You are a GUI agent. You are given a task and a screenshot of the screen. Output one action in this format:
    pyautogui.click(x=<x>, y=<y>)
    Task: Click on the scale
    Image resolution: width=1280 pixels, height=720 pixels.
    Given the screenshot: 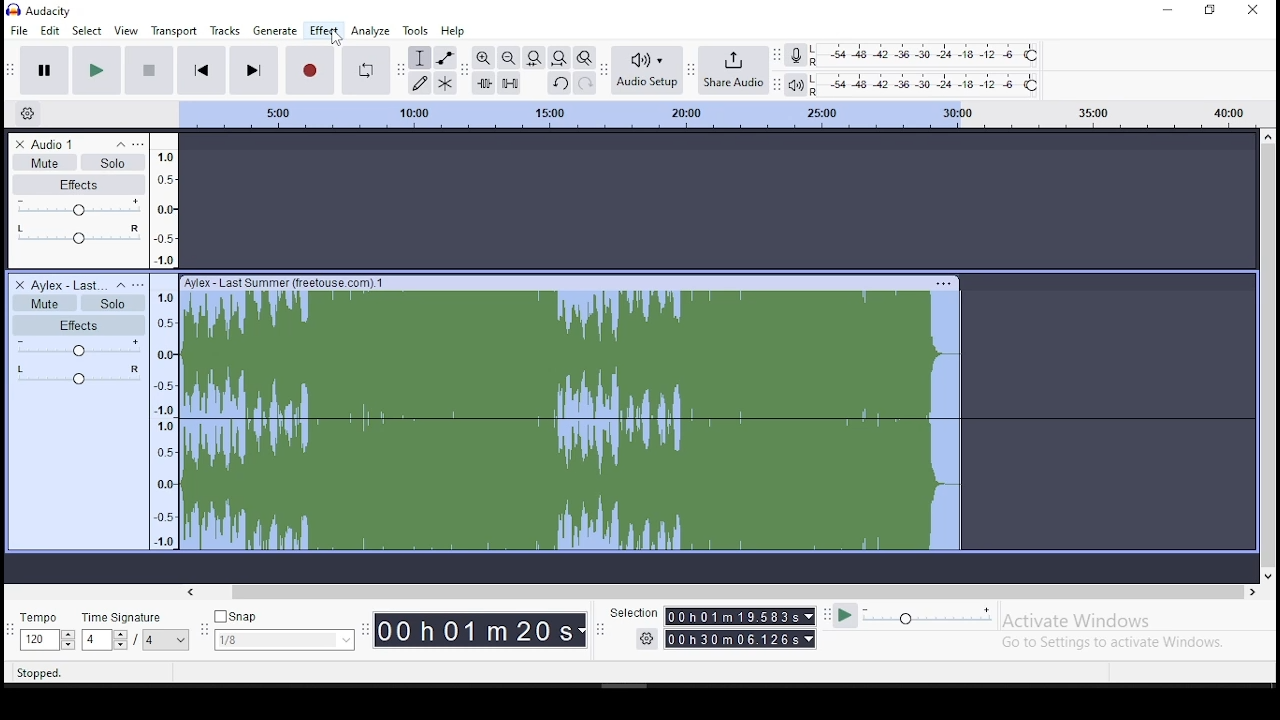 What is the action you would take?
    pyautogui.click(x=715, y=115)
    